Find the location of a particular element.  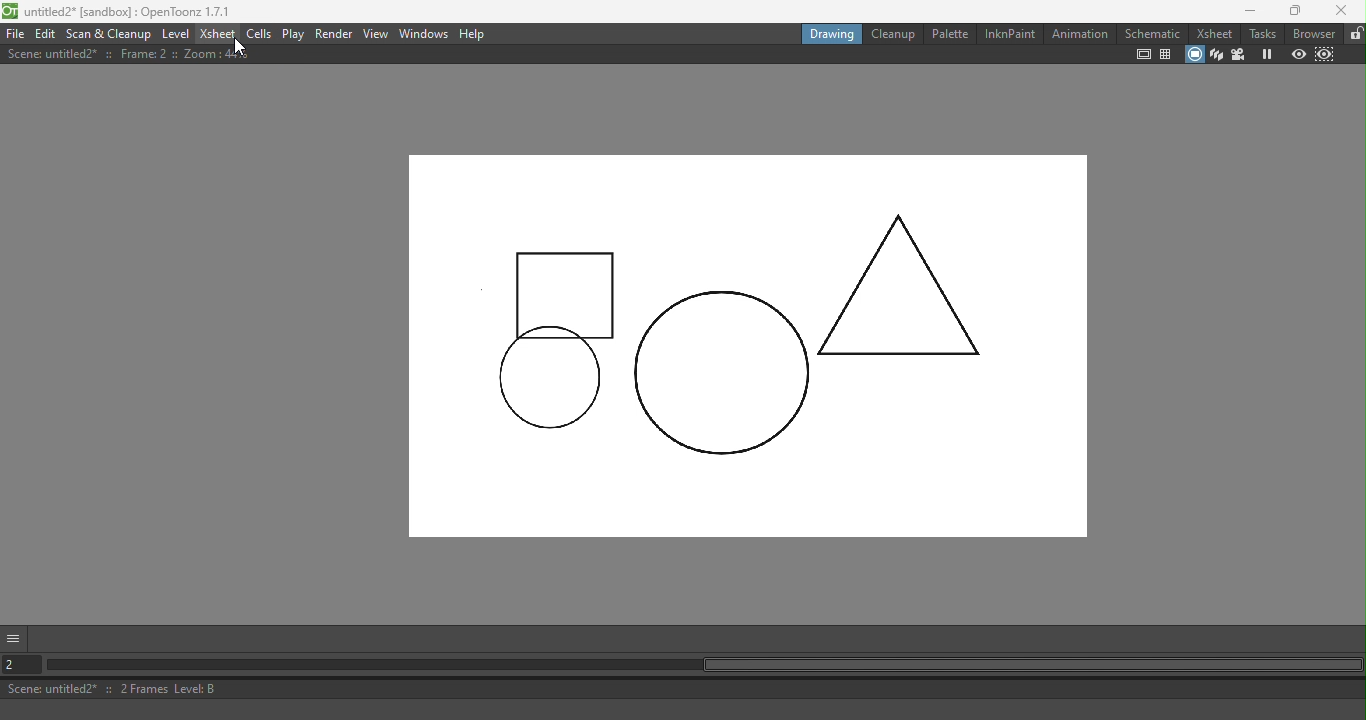

Windows is located at coordinates (424, 33).